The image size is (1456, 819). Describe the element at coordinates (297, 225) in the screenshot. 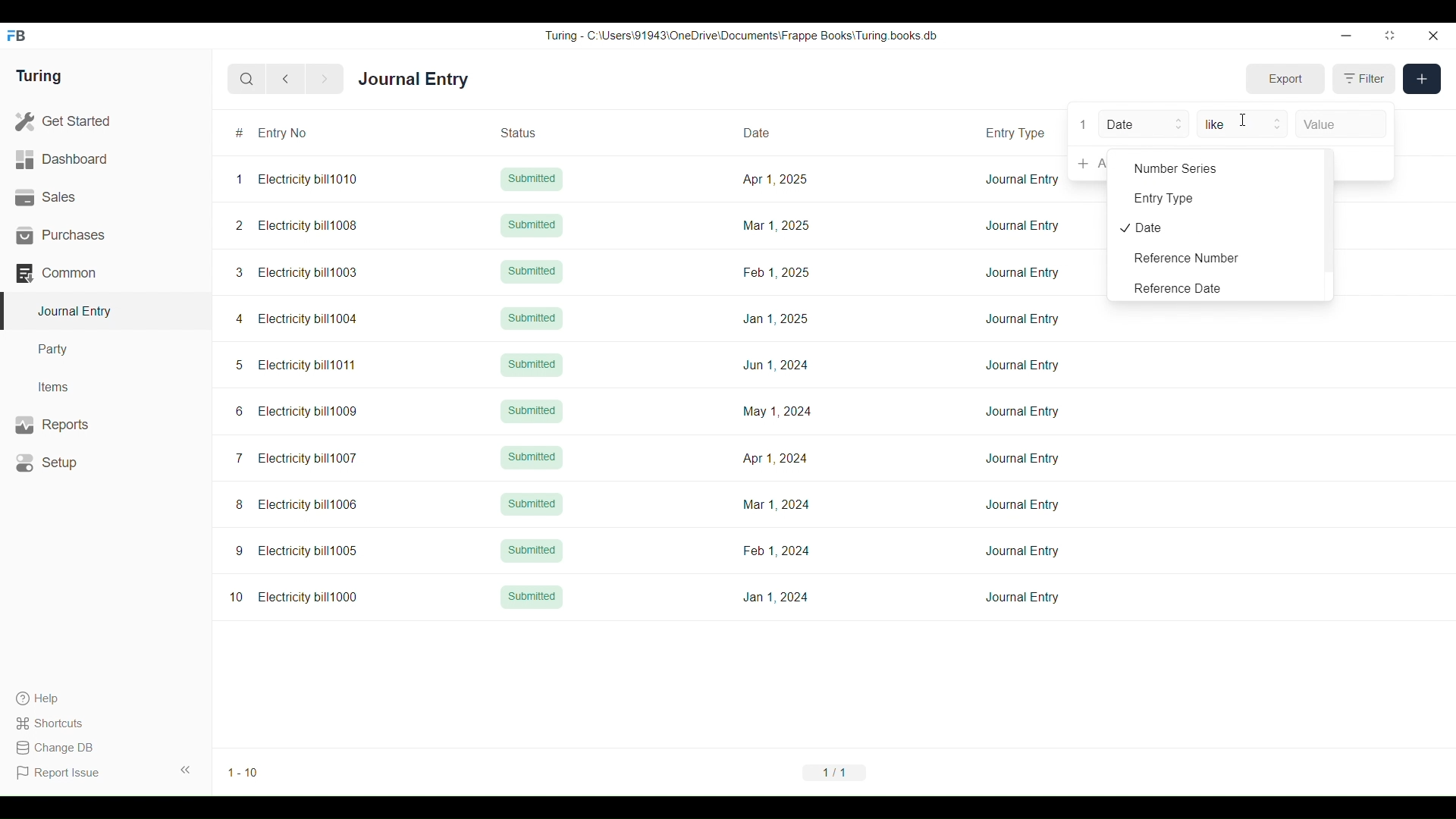

I see `2 Electricity bill1008` at that location.